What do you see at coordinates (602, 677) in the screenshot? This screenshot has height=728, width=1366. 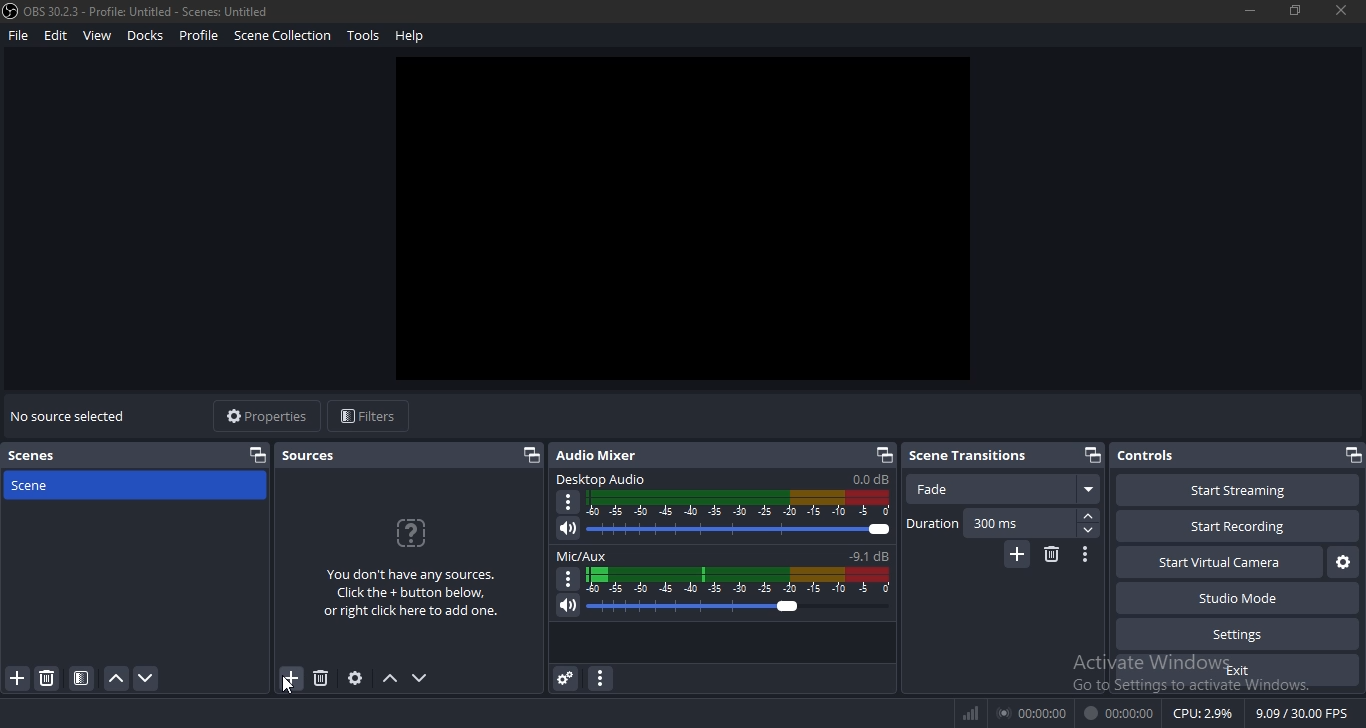 I see `icon` at bounding box center [602, 677].